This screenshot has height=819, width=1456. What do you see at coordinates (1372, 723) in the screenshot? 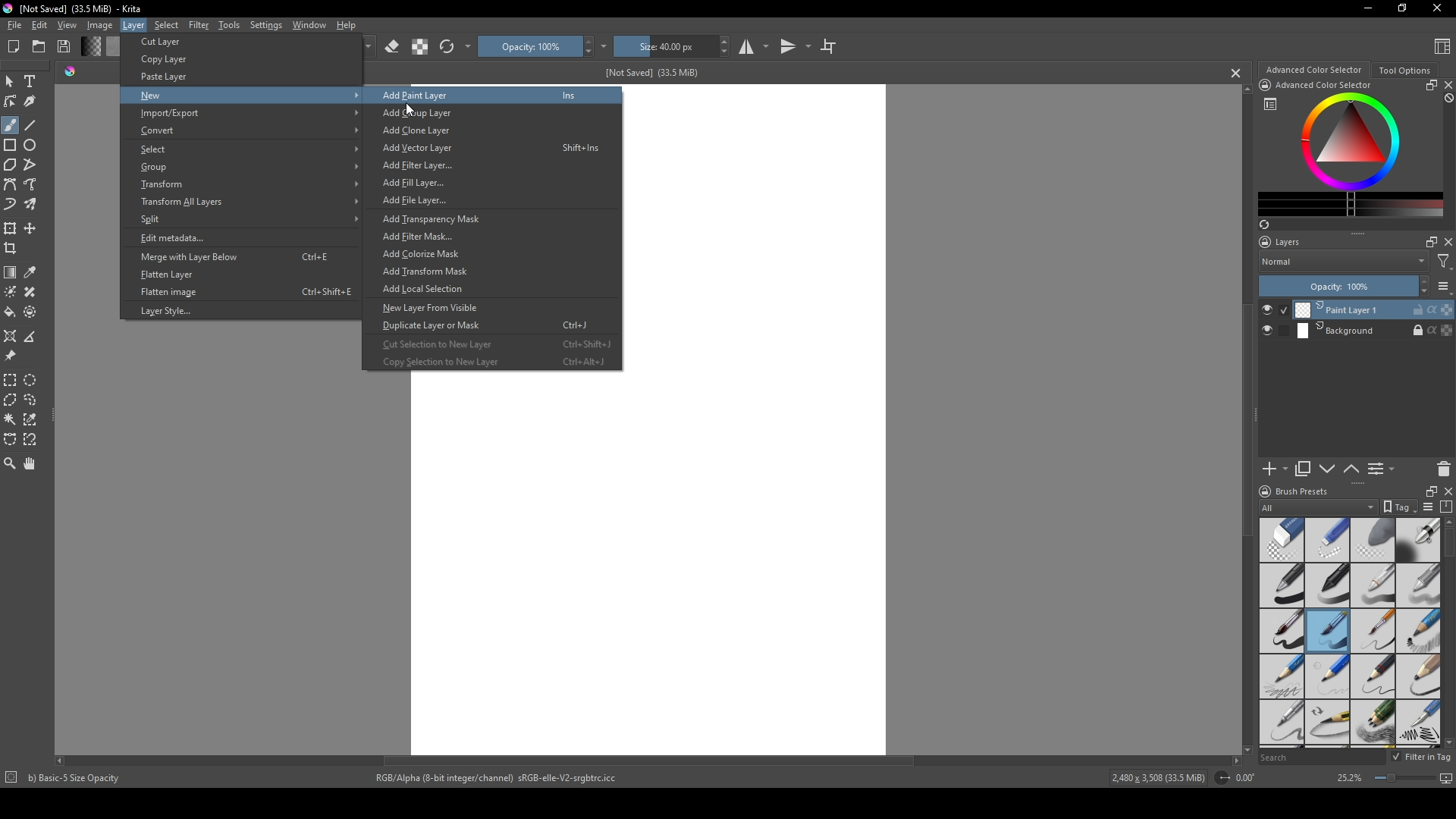
I see `pencils` at bounding box center [1372, 723].